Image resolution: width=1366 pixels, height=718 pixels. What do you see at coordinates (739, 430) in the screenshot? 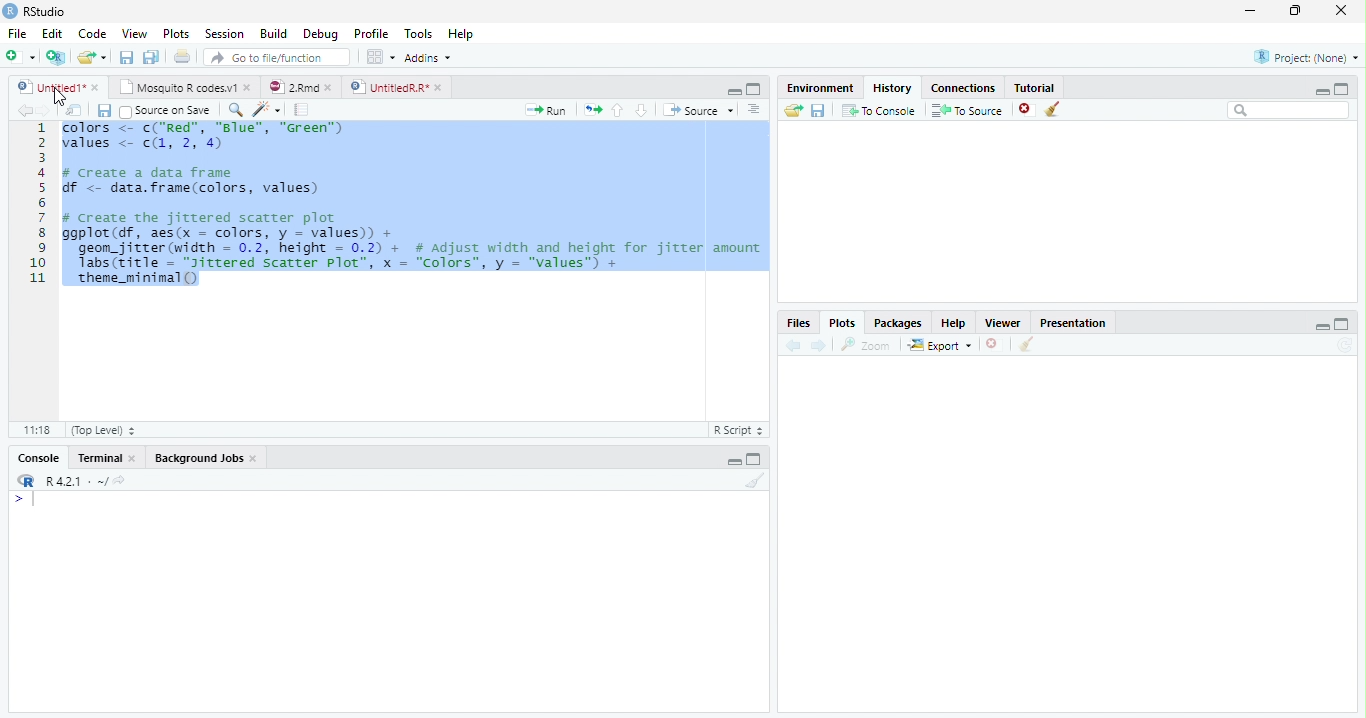
I see `R Script` at bounding box center [739, 430].